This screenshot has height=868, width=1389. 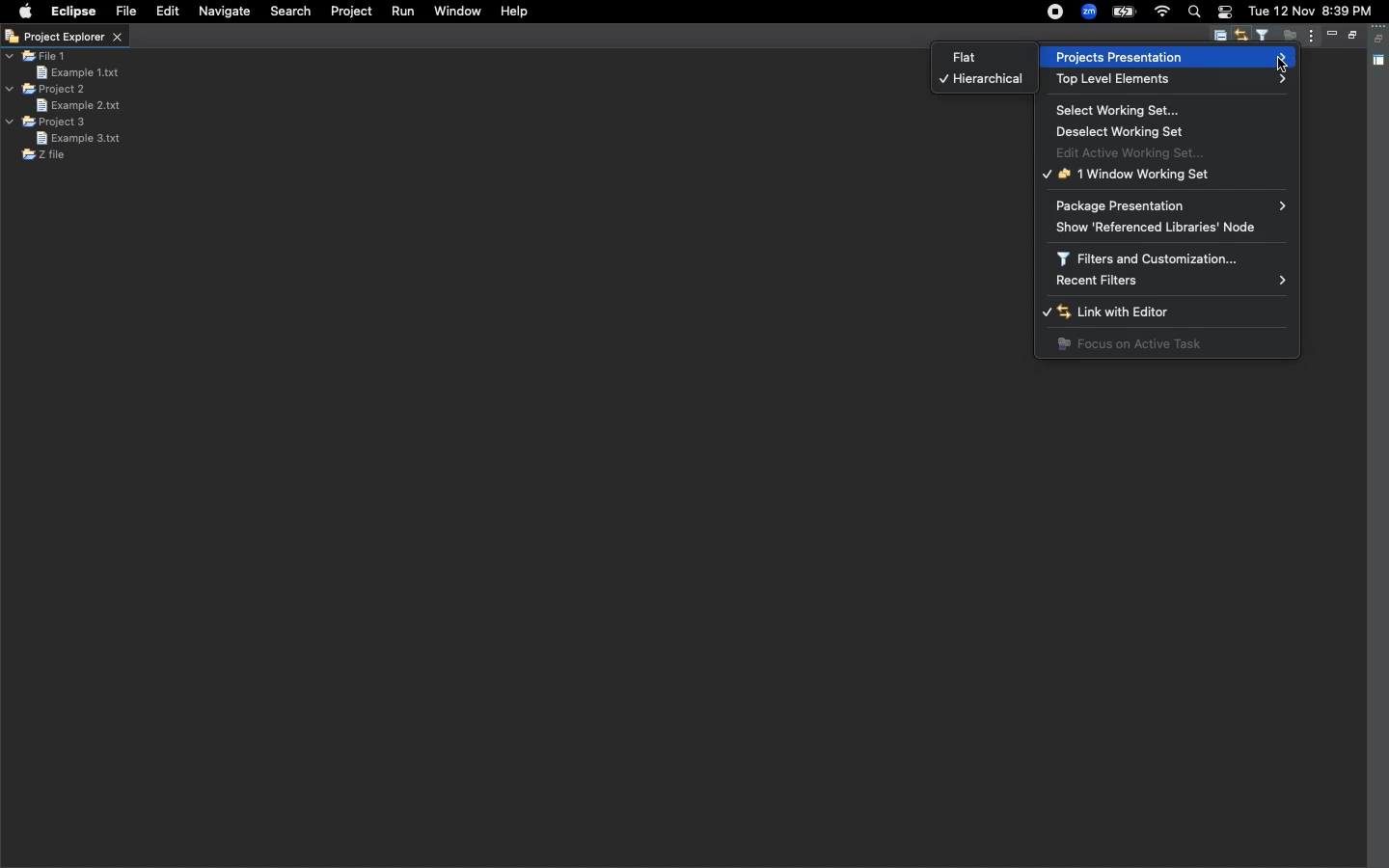 What do you see at coordinates (1124, 14) in the screenshot?
I see `Charge` at bounding box center [1124, 14].